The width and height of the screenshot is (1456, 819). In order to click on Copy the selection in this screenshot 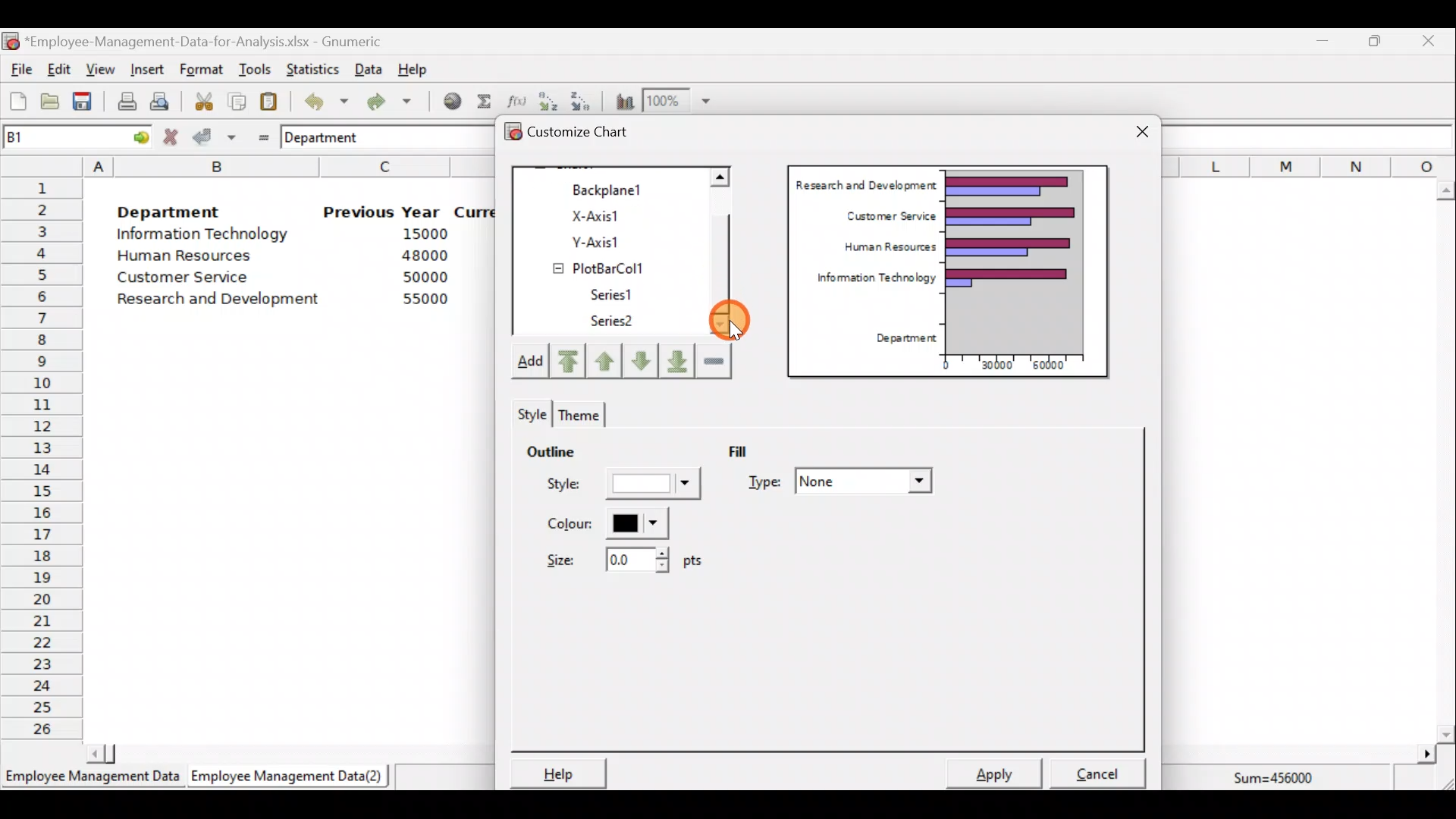, I will do `click(236, 99)`.